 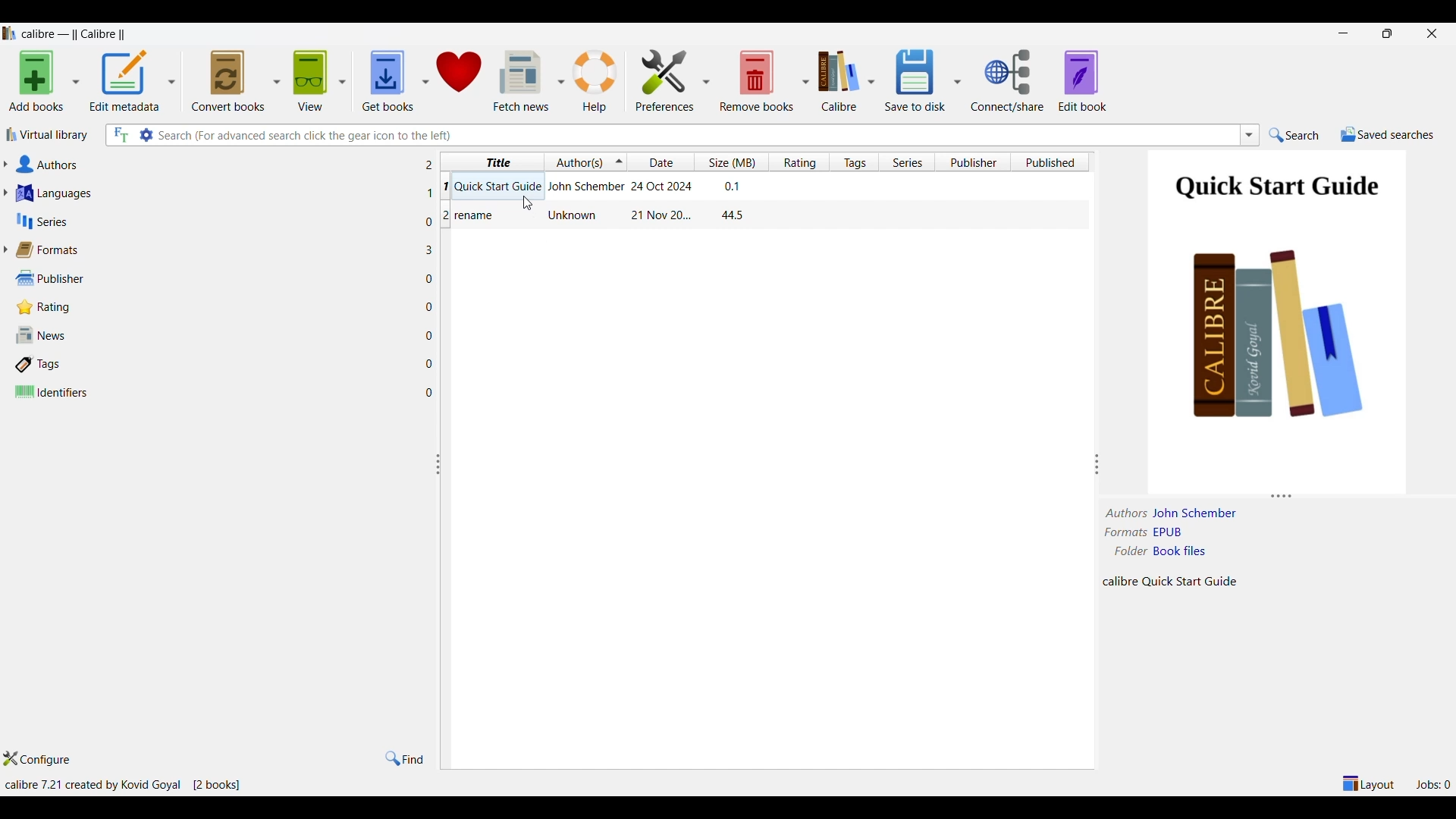 I want to click on Convert books, so click(x=228, y=81).